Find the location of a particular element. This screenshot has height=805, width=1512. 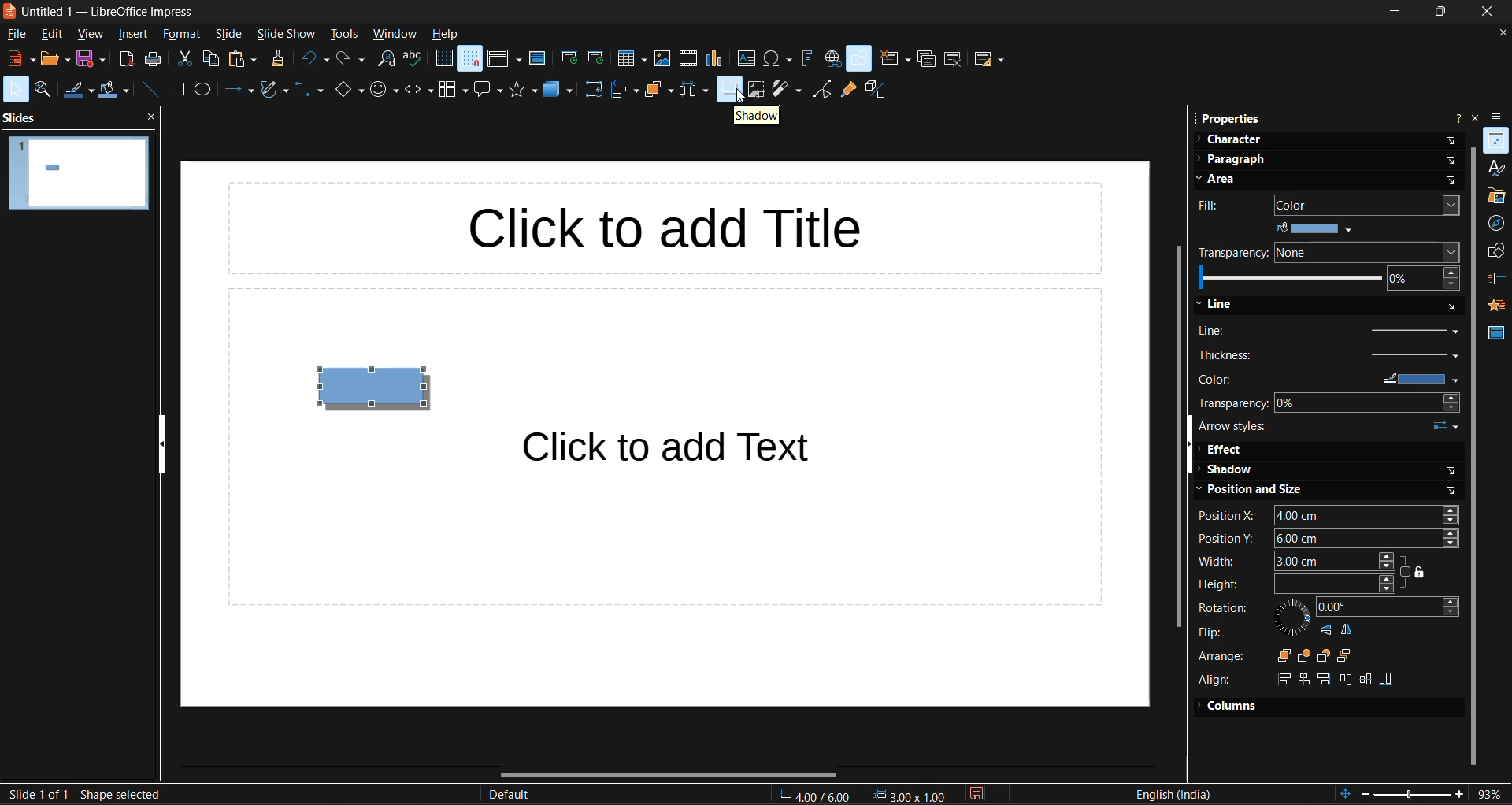

Default is located at coordinates (509, 796).